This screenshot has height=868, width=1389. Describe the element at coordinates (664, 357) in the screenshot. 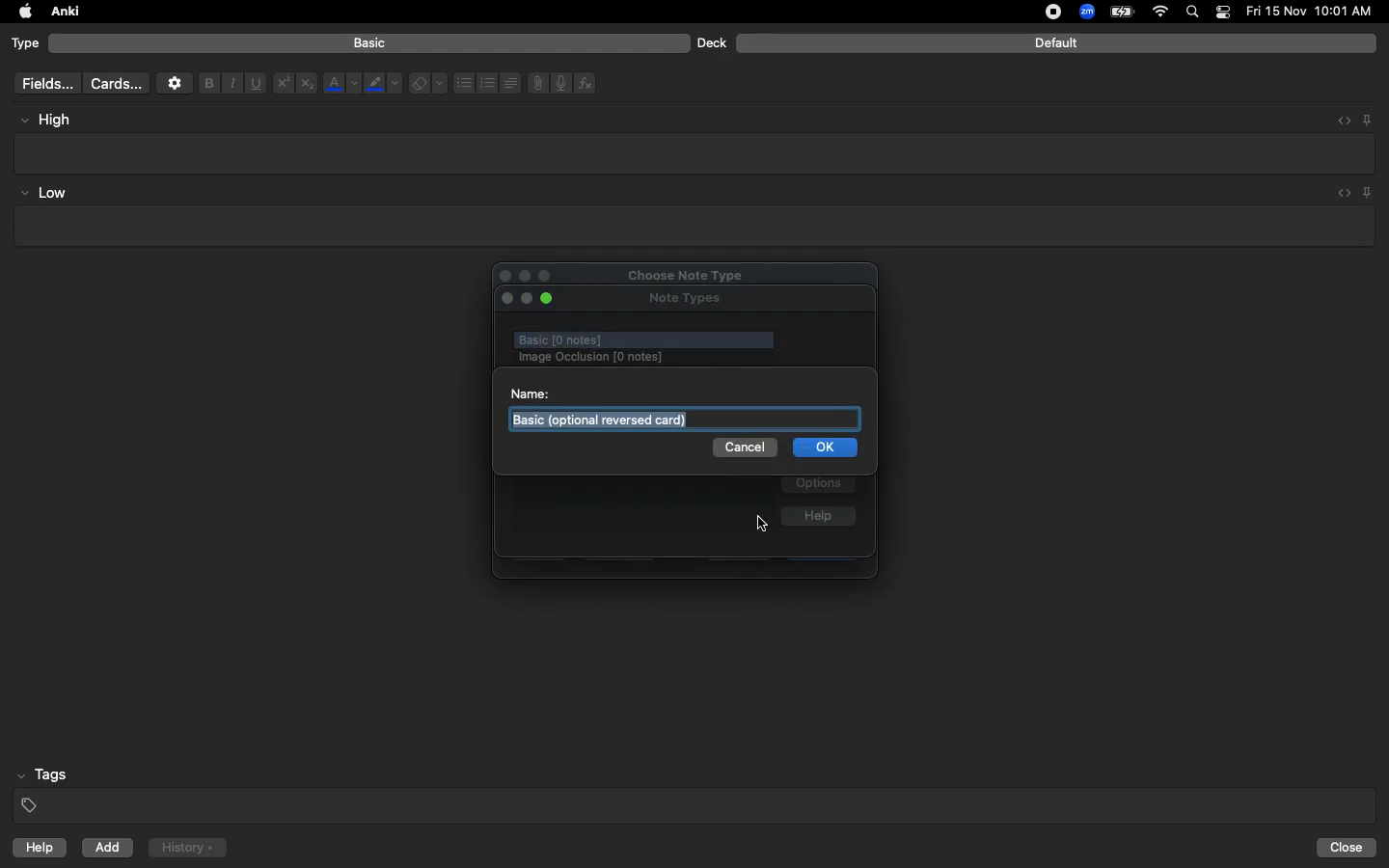

I see `image occlusion(0 notes)` at that location.